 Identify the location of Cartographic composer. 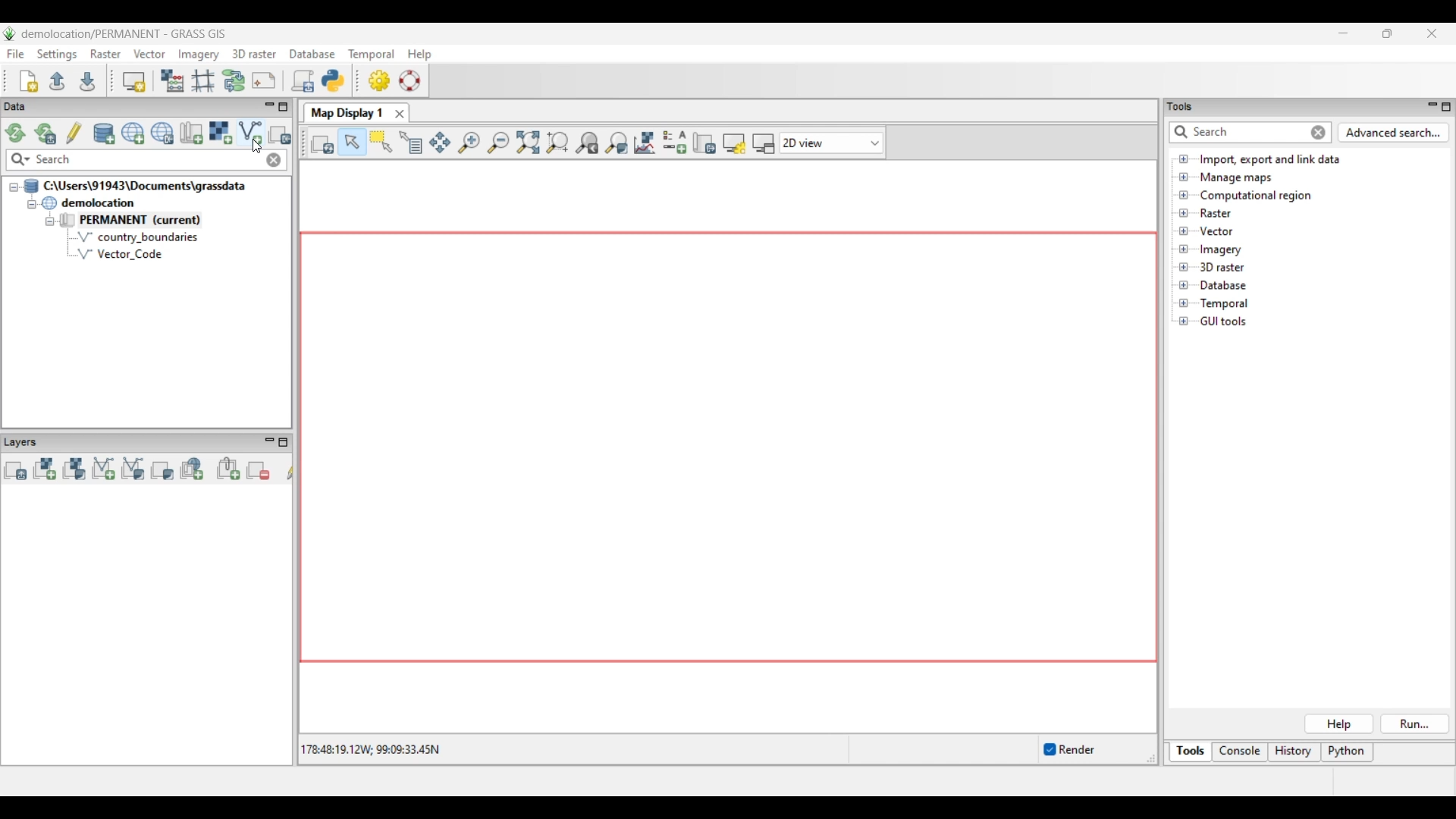
(265, 81).